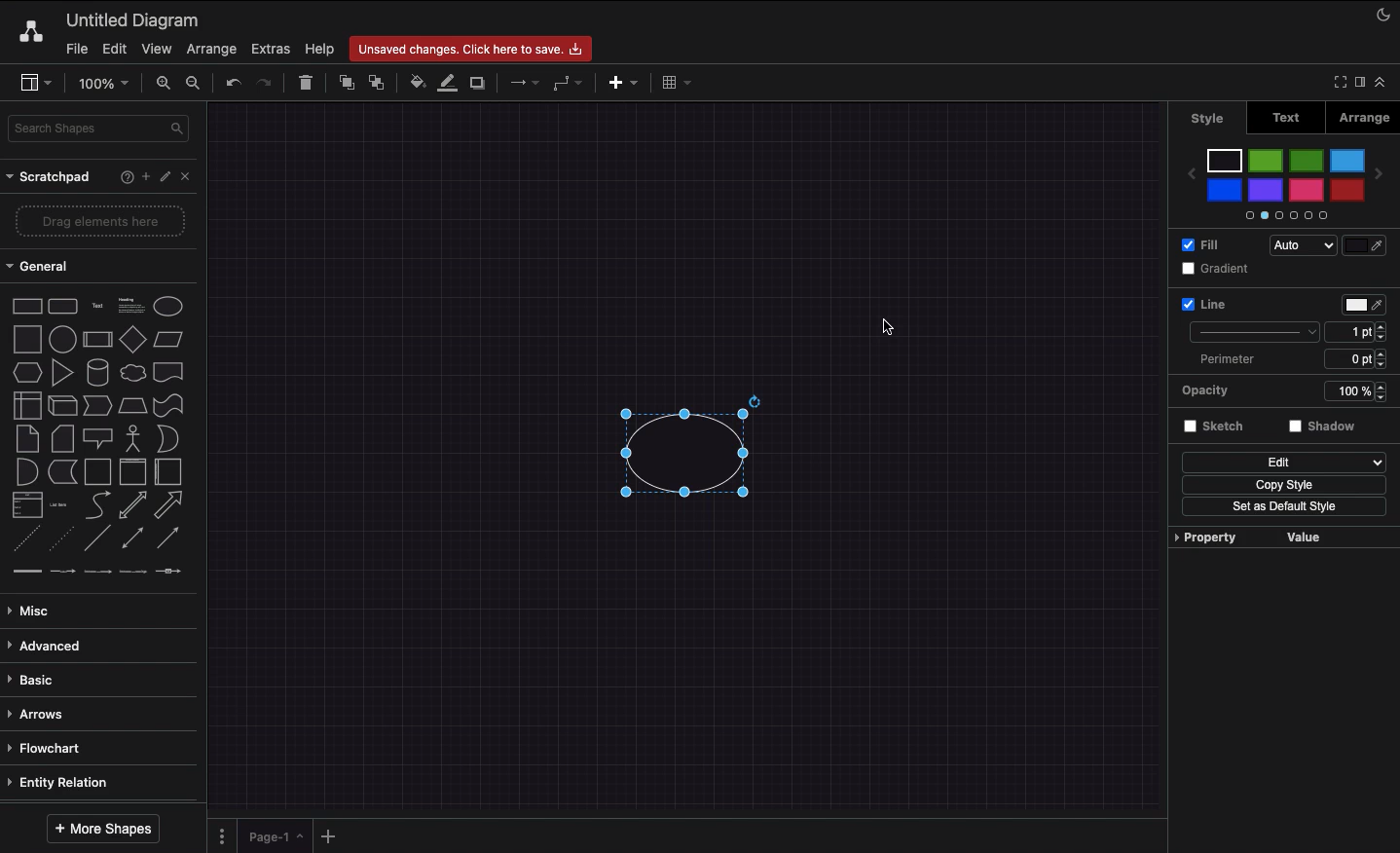 The width and height of the screenshot is (1400, 853). Describe the element at coordinates (133, 436) in the screenshot. I see `Actor` at that location.